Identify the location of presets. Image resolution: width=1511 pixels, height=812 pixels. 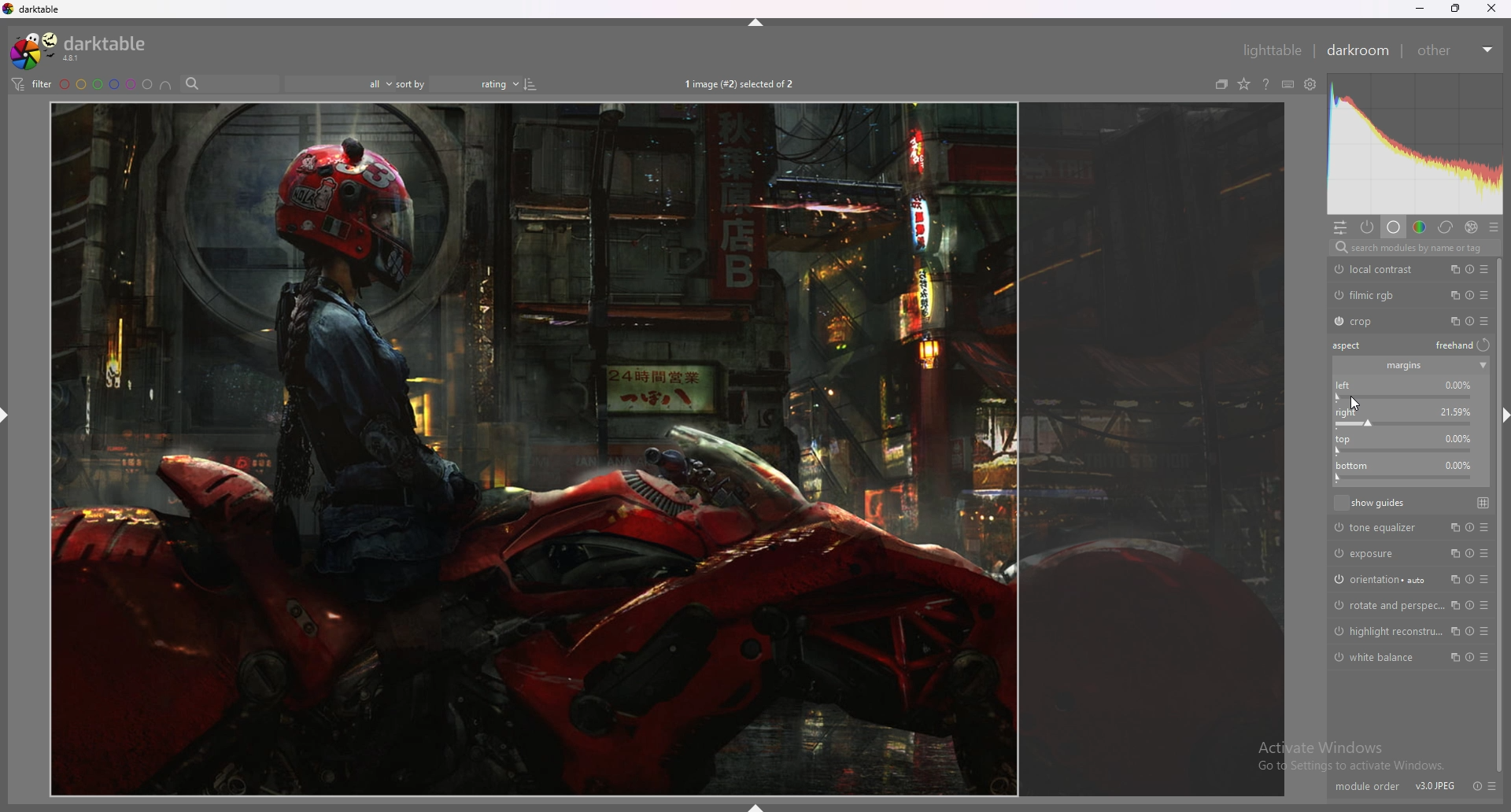
(1484, 320).